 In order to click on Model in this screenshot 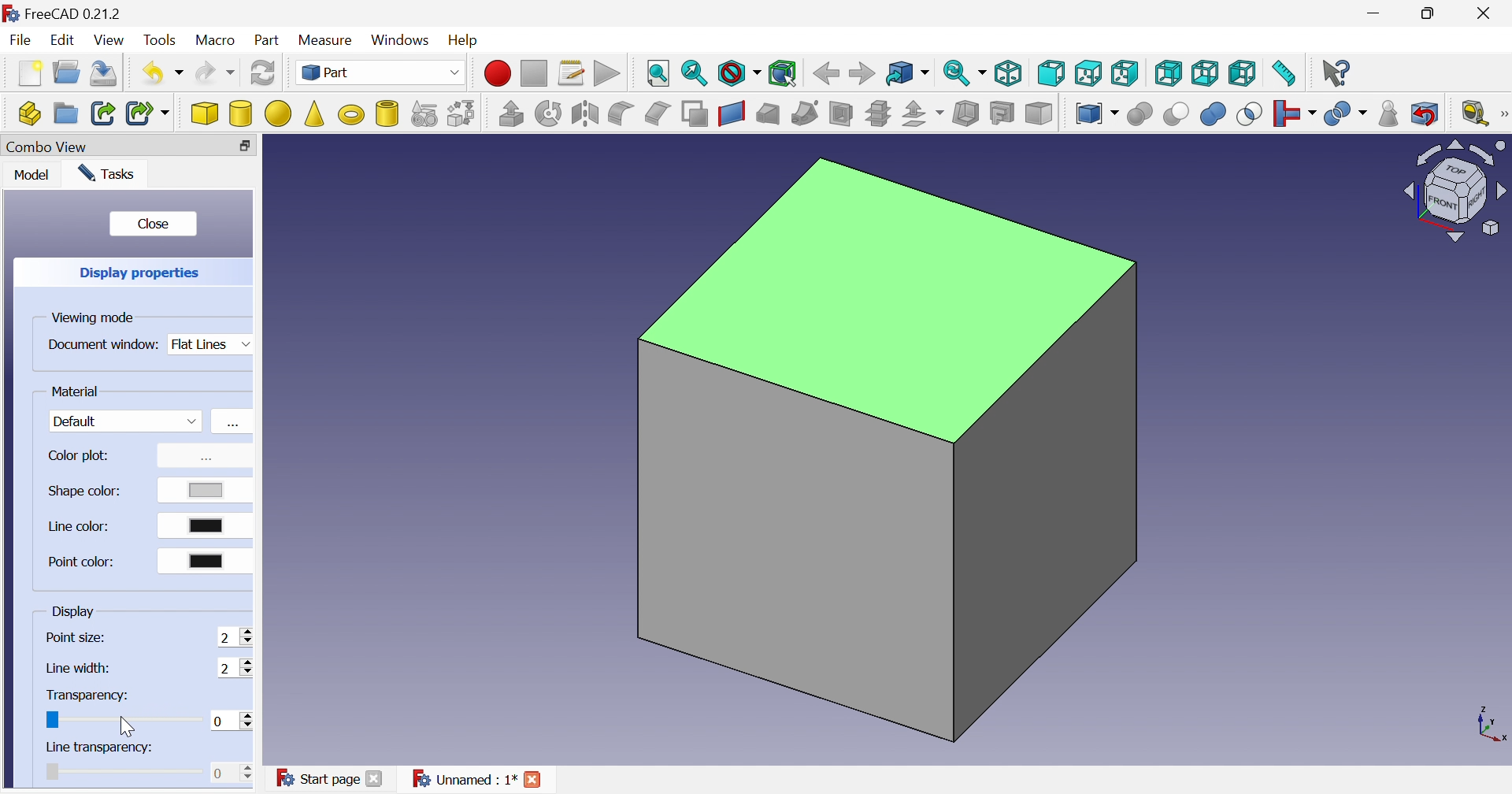, I will do `click(33, 172)`.